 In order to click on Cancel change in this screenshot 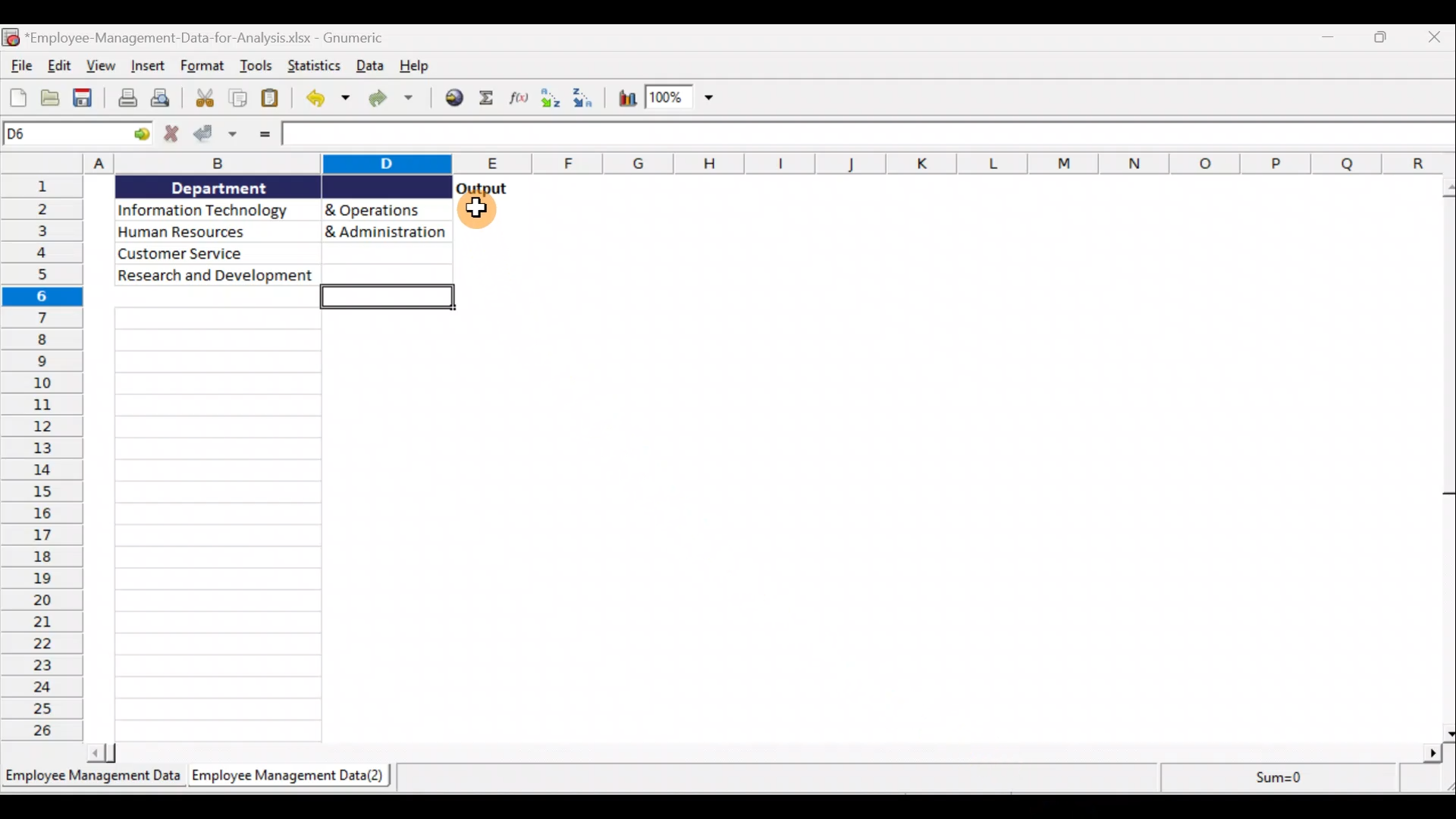, I will do `click(171, 136)`.